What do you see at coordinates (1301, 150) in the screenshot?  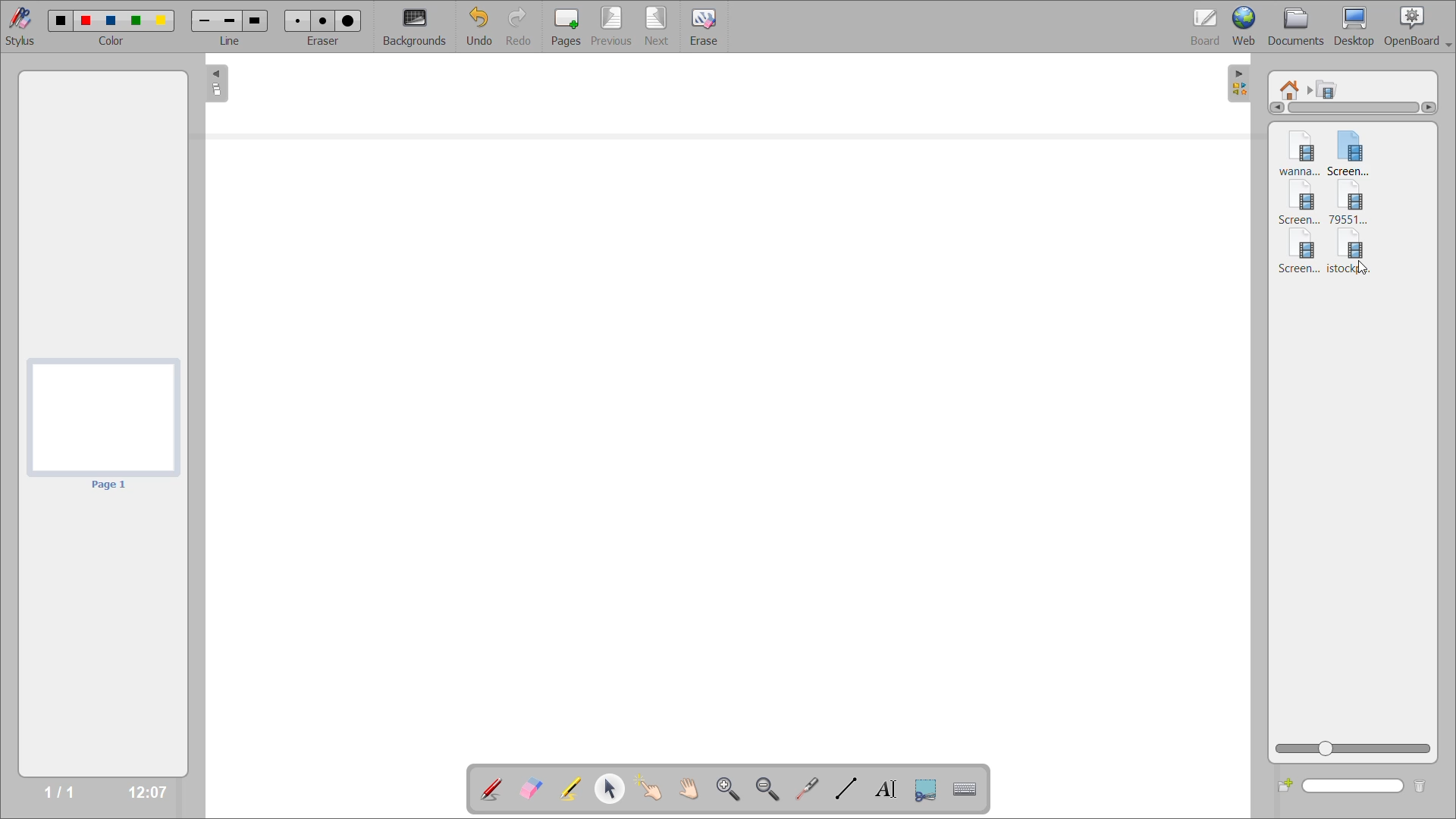 I see `video 1` at bounding box center [1301, 150].